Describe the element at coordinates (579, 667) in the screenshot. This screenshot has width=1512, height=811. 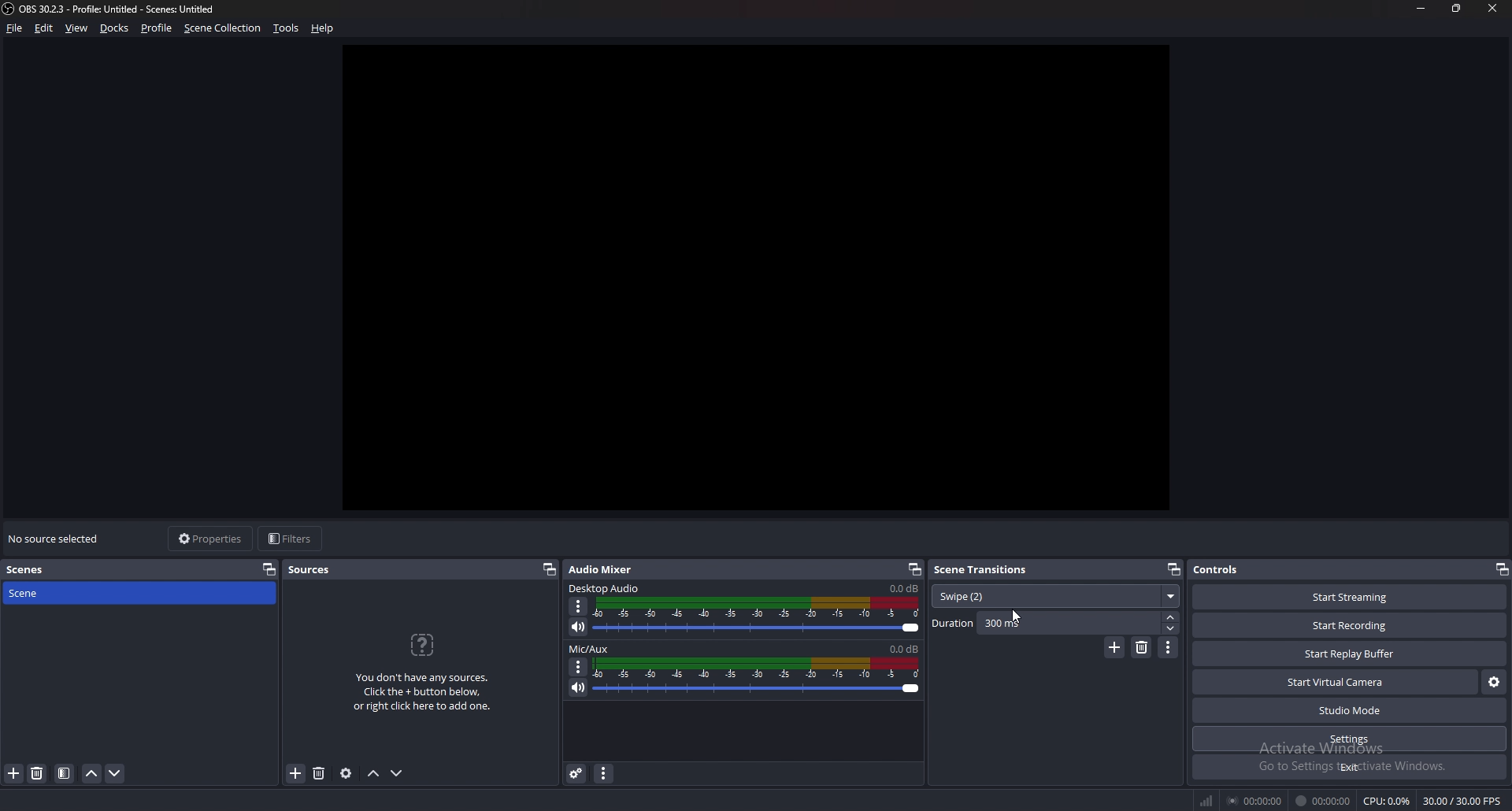
I see `options` at that location.